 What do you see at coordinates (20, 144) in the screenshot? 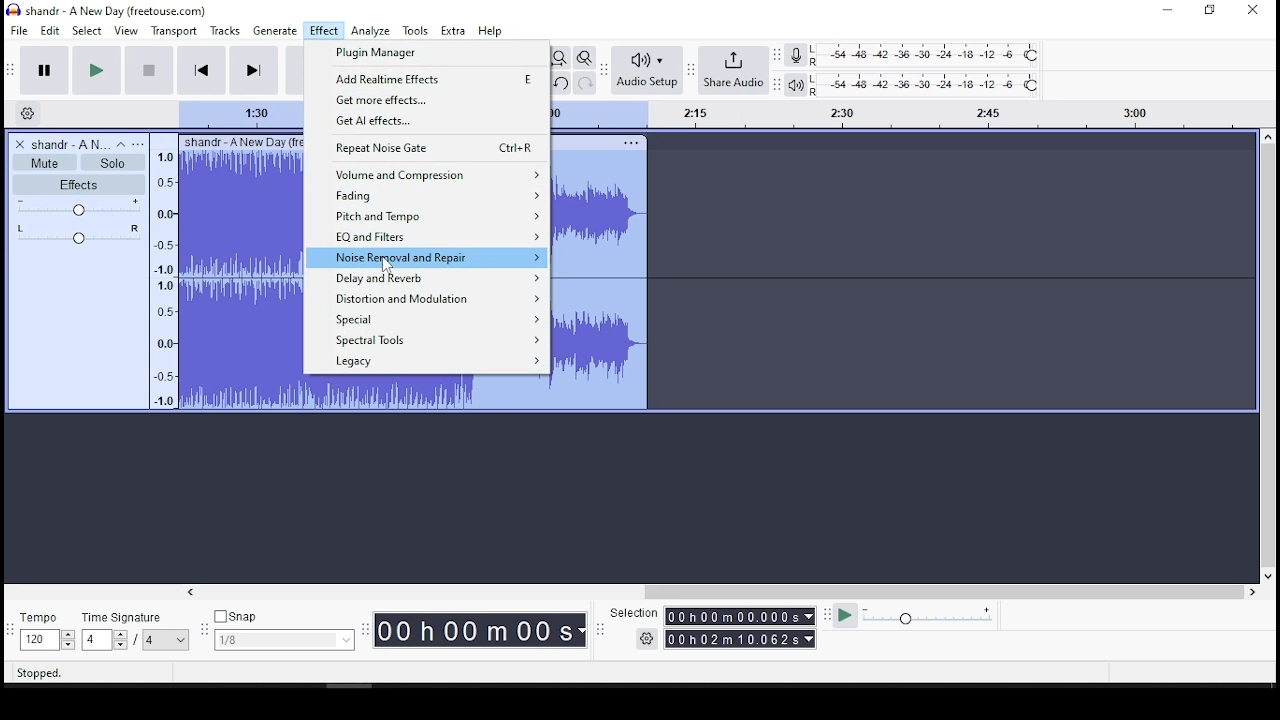
I see `delete track` at bounding box center [20, 144].